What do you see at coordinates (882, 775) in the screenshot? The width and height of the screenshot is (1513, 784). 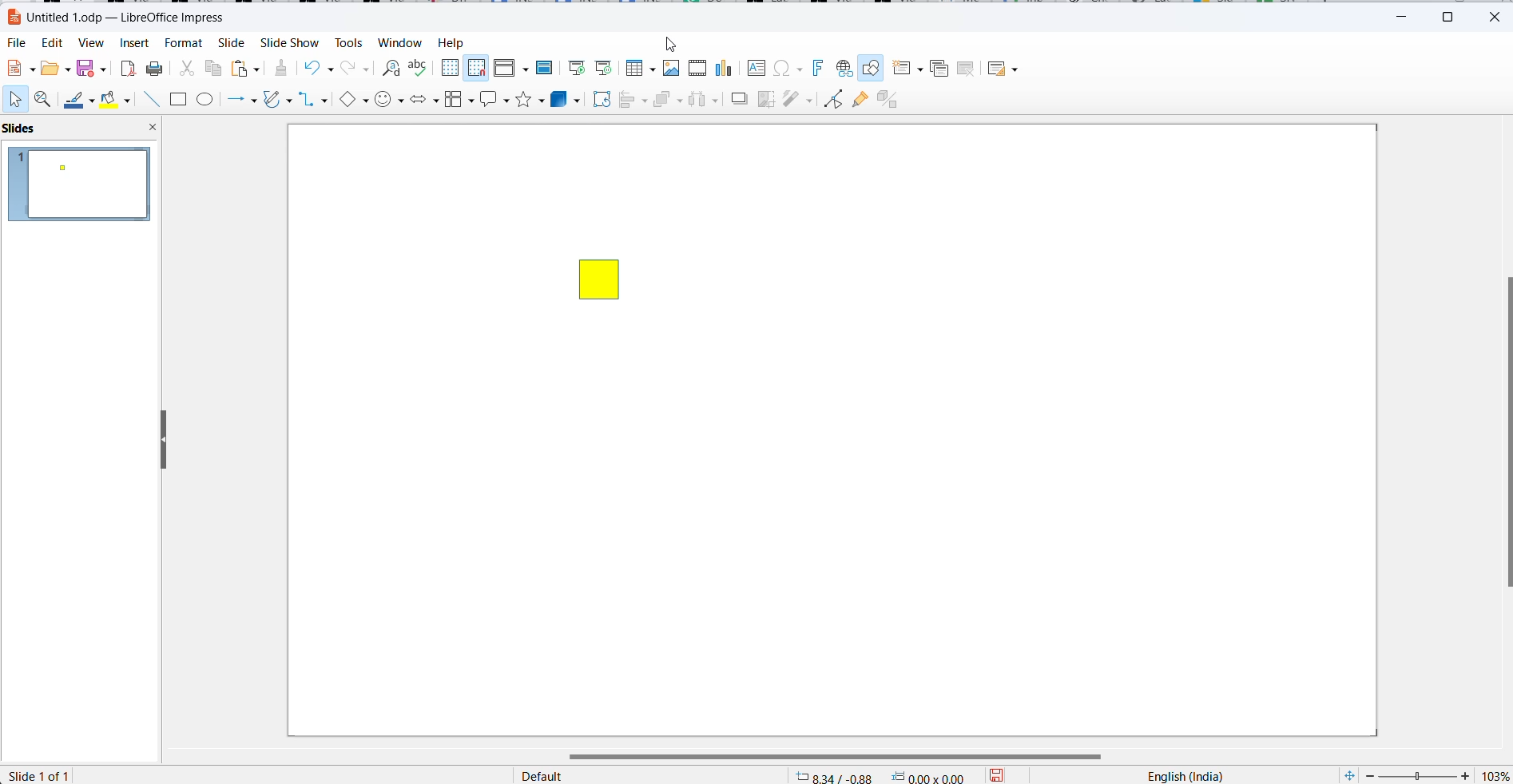 I see `cursor mapping` at bounding box center [882, 775].